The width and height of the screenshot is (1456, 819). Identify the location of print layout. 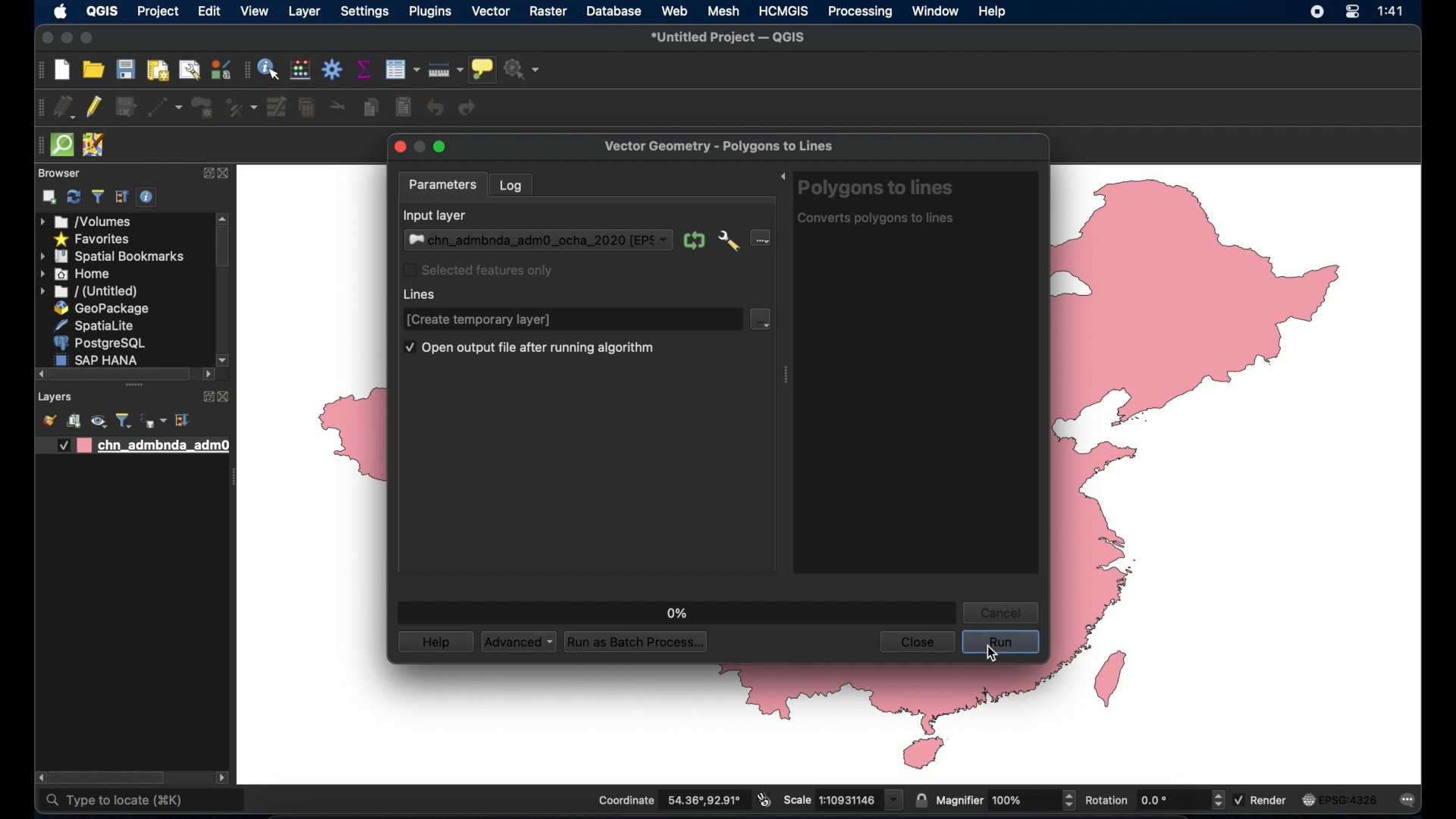
(156, 70).